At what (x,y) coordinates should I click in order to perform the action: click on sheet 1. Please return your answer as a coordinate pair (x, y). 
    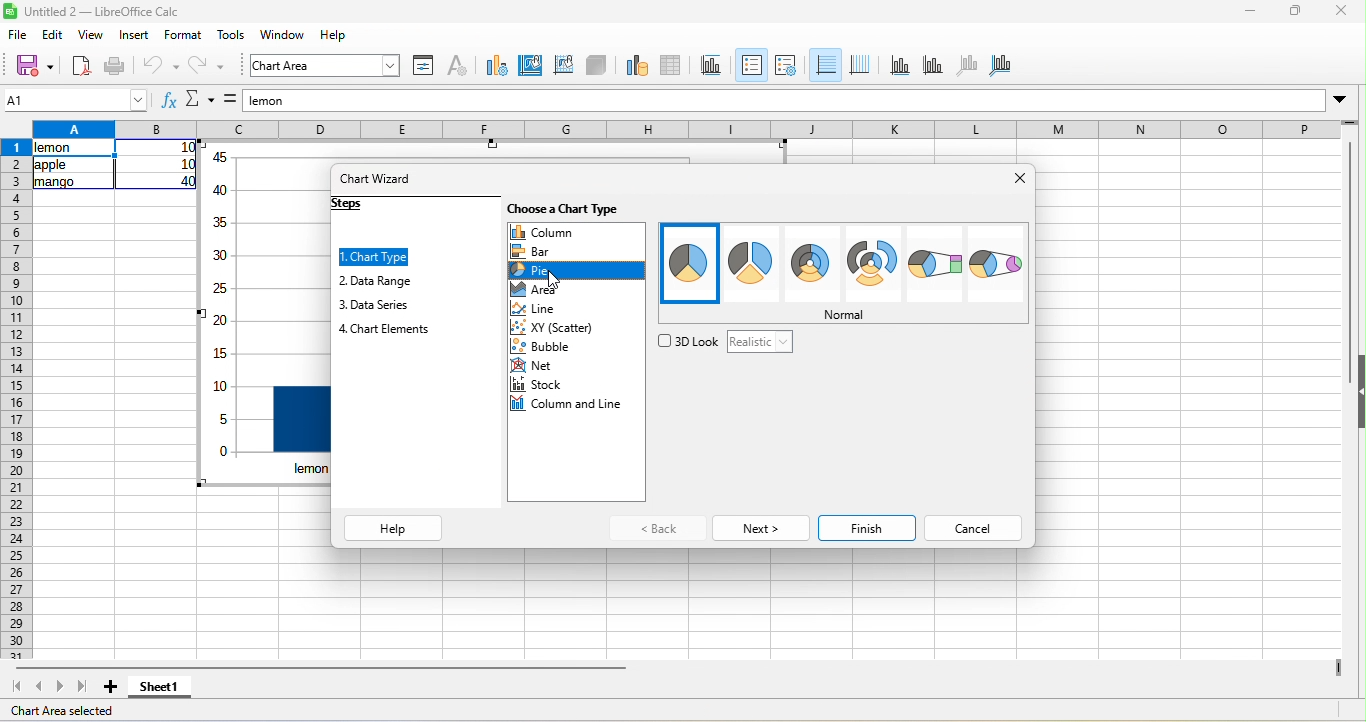
    Looking at the image, I should click on (169, 688).